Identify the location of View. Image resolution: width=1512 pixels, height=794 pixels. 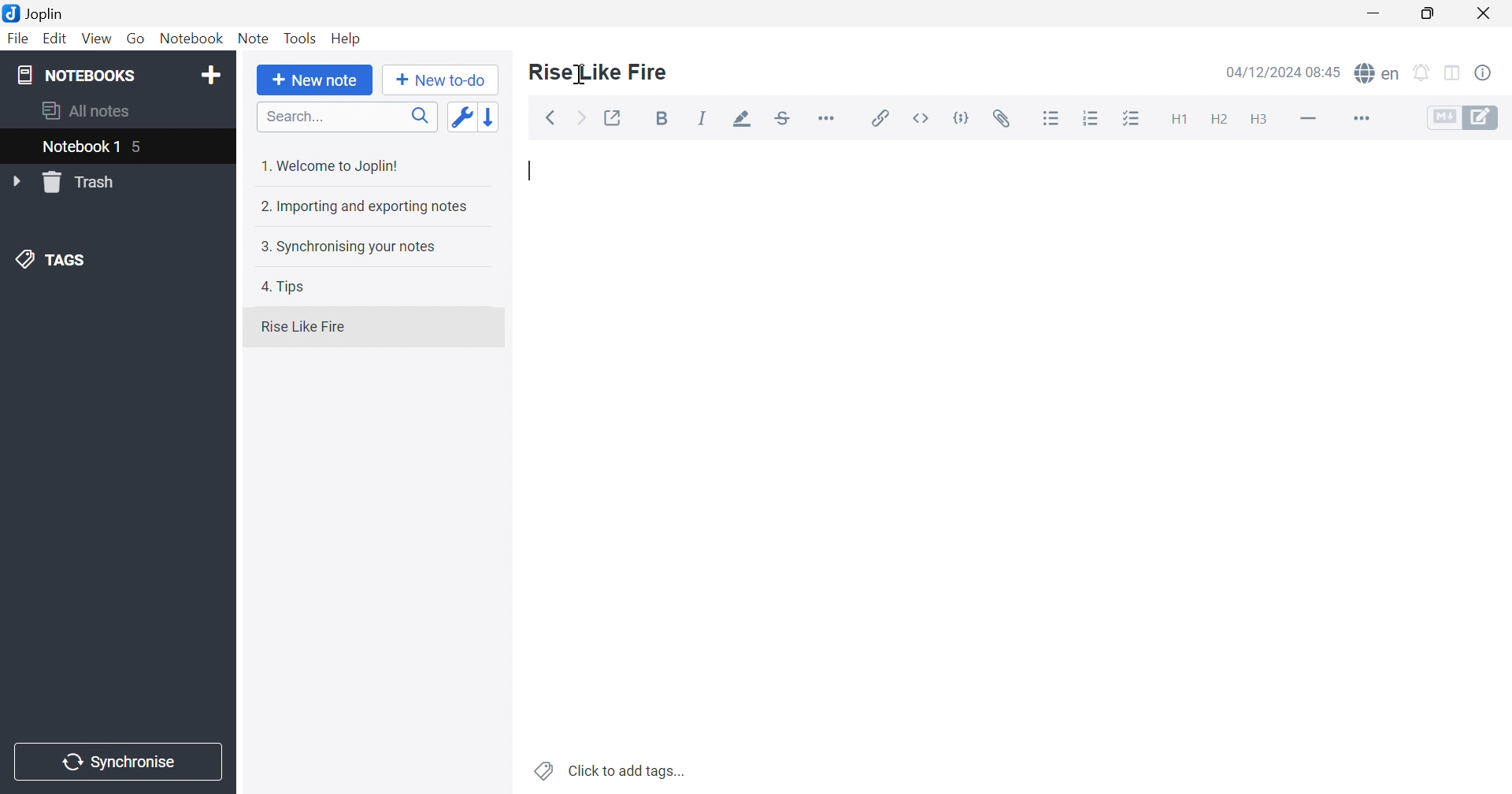
(97, 39).